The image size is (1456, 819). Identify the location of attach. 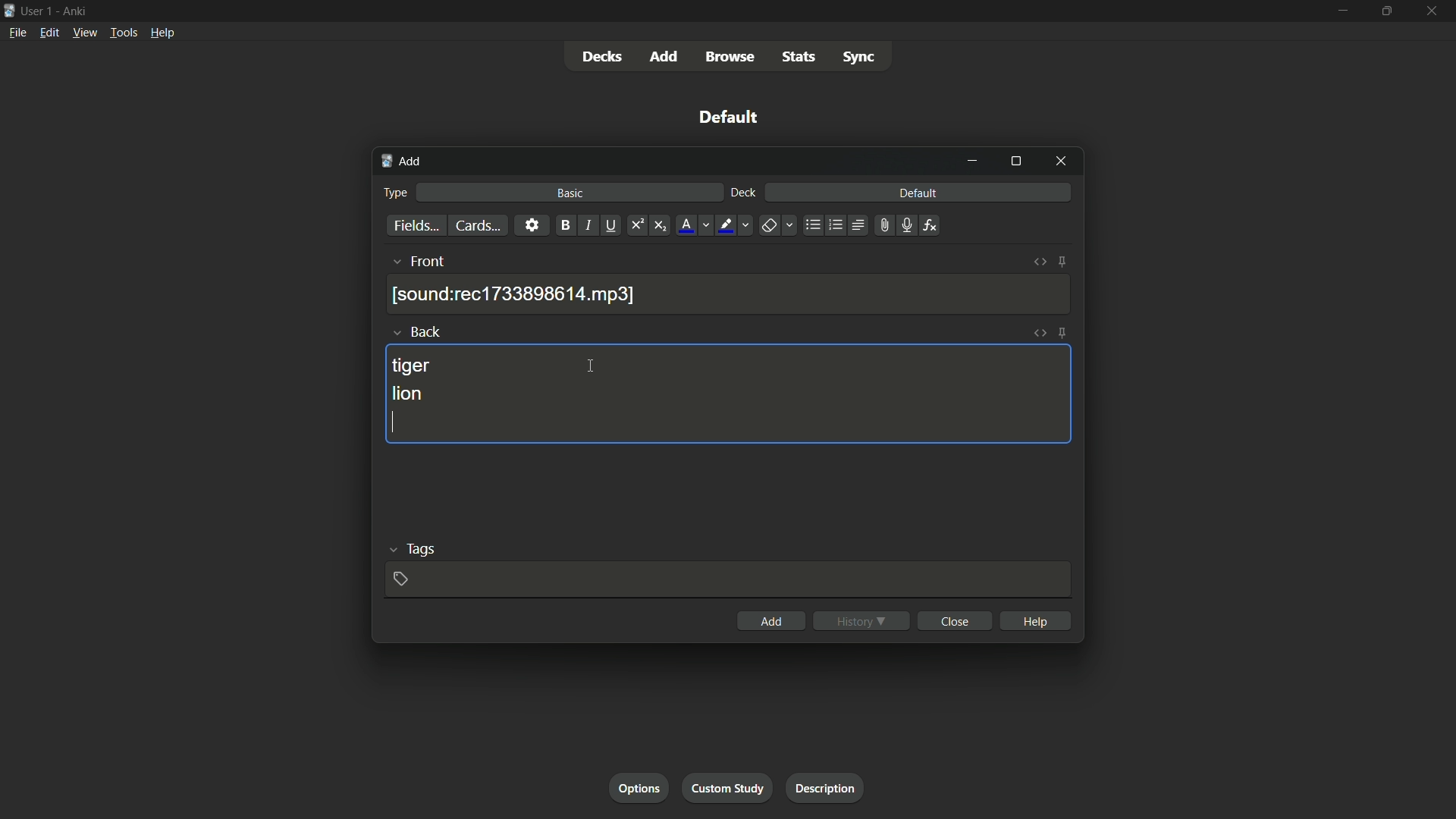
(881, 225).